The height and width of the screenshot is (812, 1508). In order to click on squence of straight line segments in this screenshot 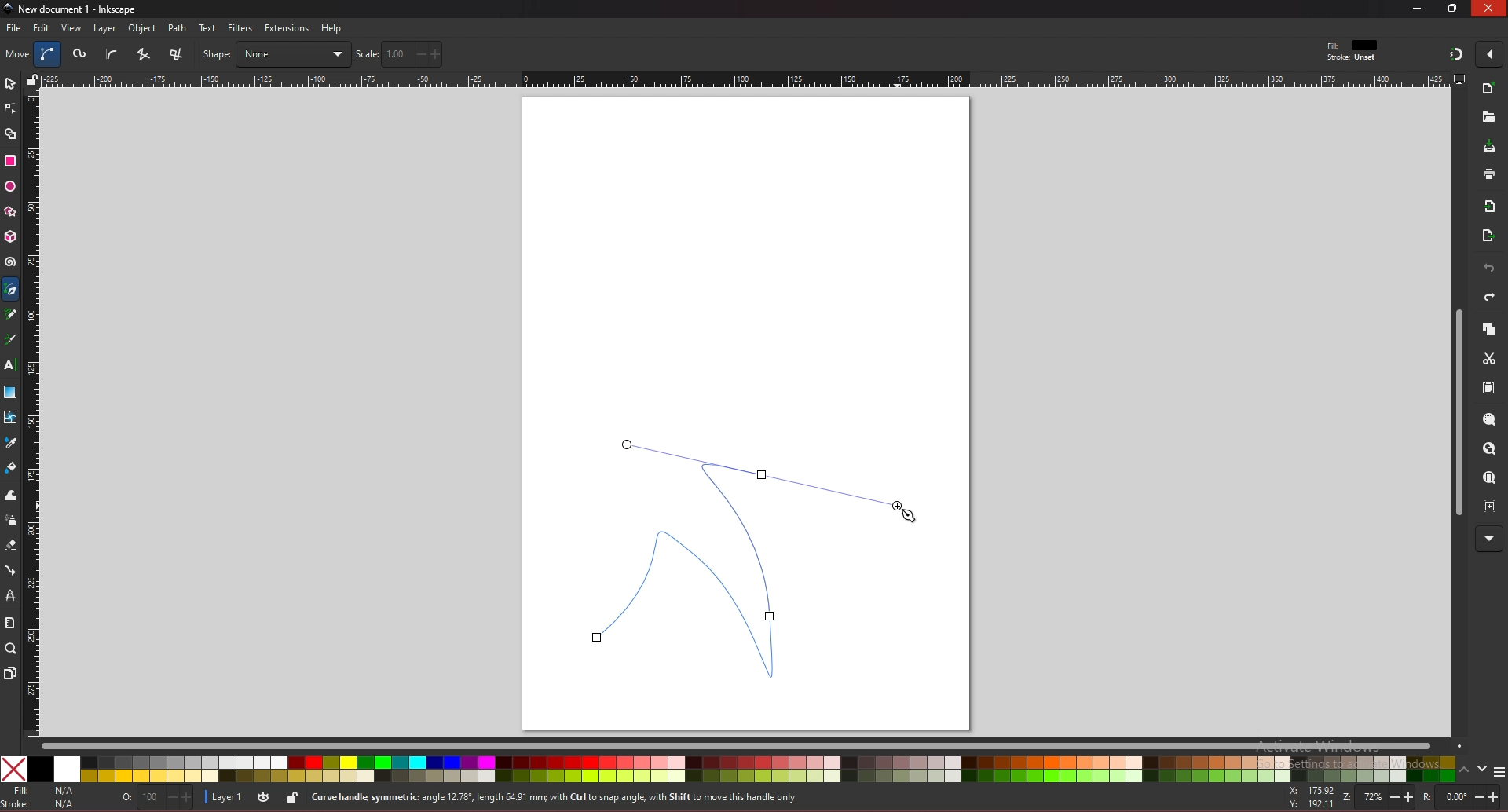, I will do `click(143, 54)`.